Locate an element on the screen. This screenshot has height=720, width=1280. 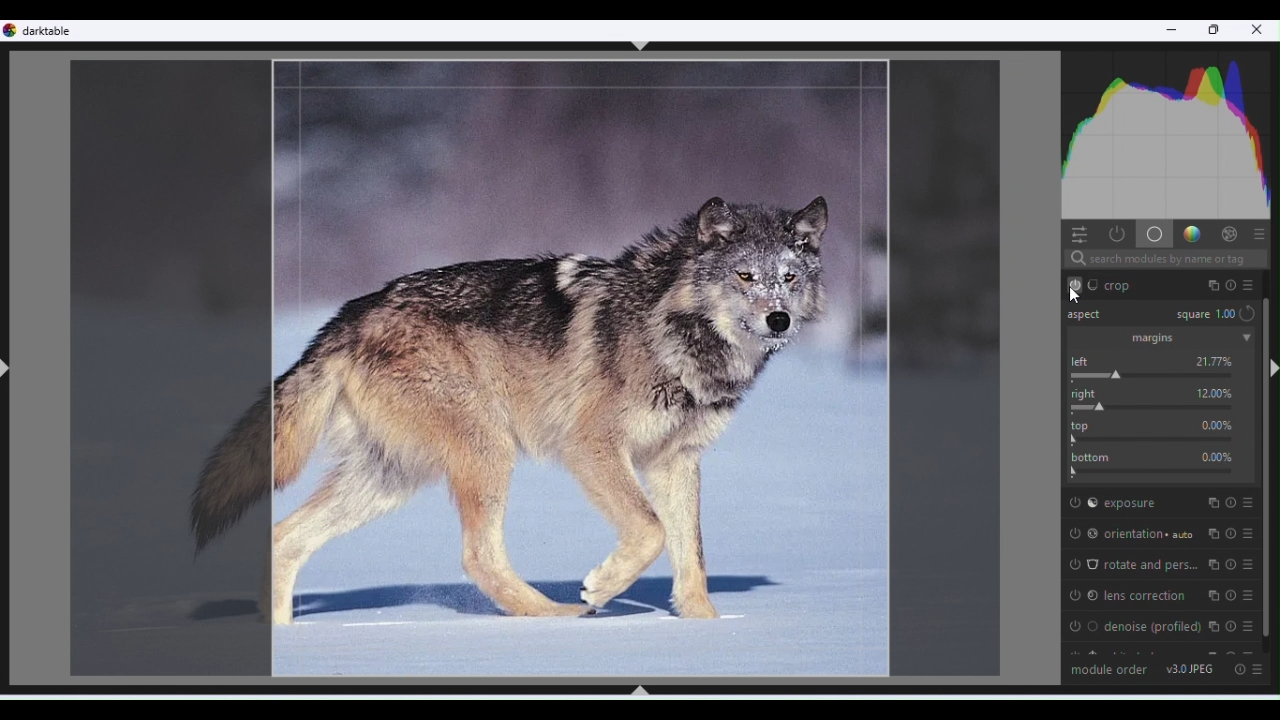
value is located at coordinates (1217, 425).